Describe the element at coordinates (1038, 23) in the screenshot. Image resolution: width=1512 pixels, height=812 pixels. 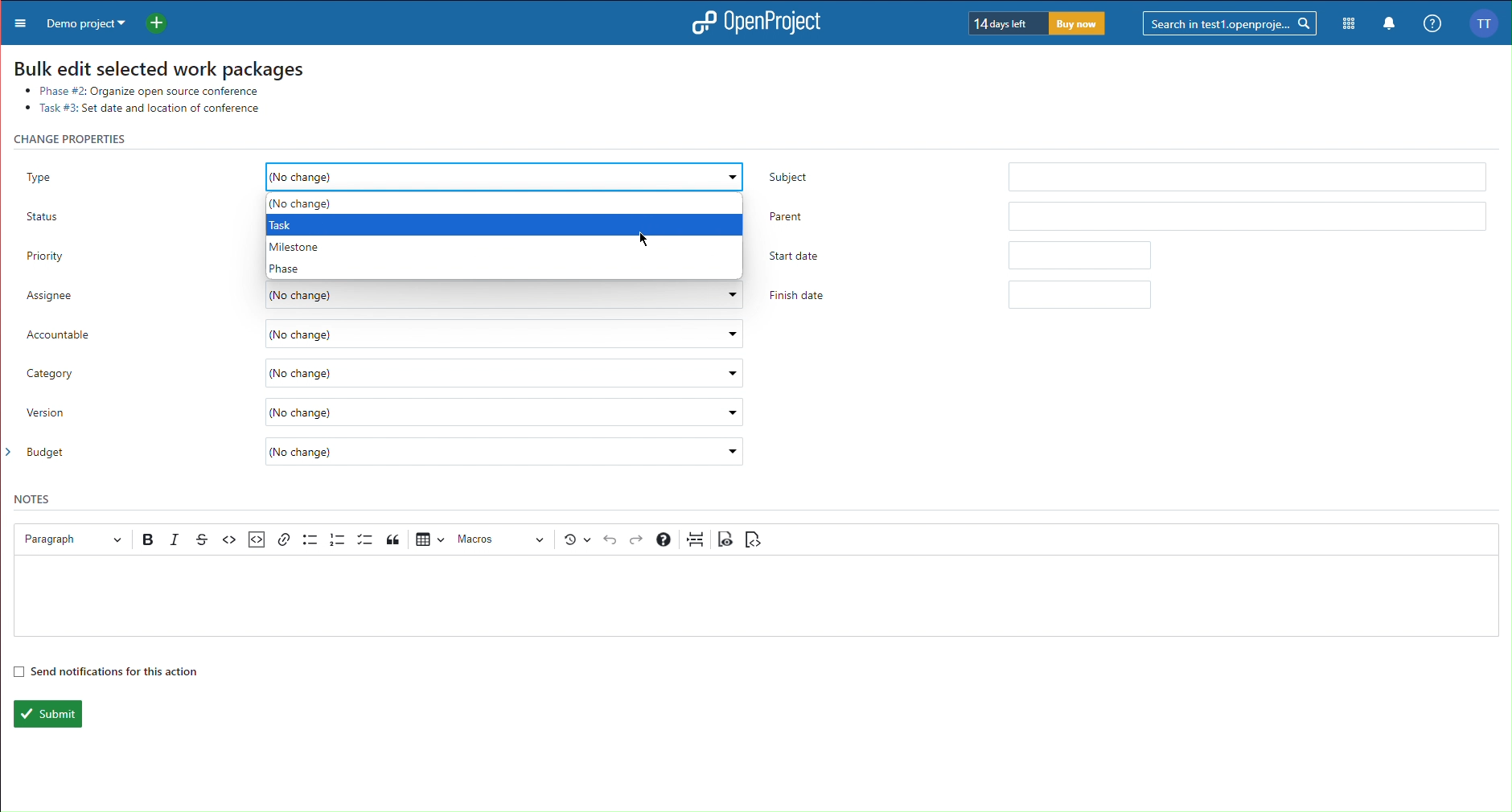
I see `Trial timer` at that location.